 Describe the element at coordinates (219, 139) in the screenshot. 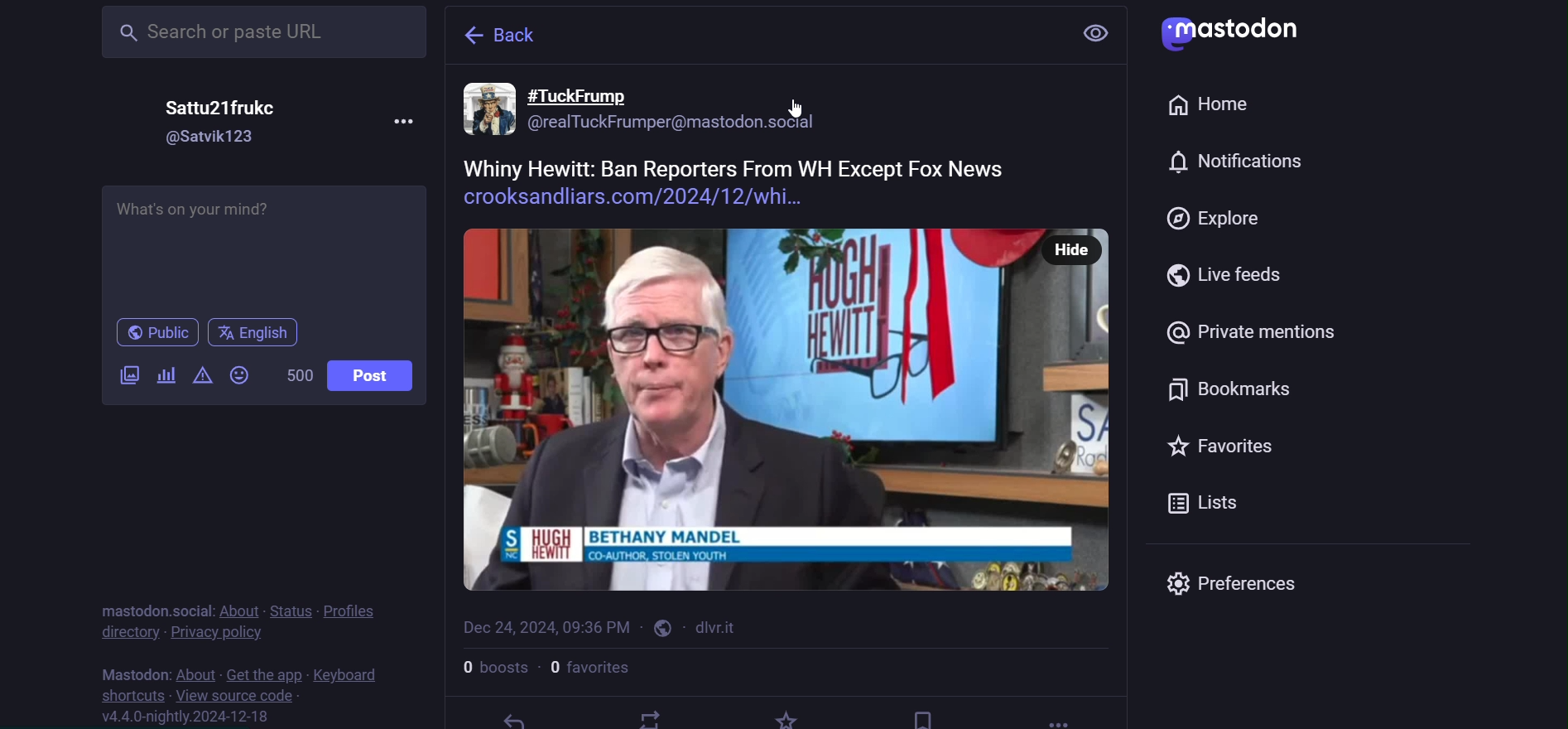

I see `id` at that location.